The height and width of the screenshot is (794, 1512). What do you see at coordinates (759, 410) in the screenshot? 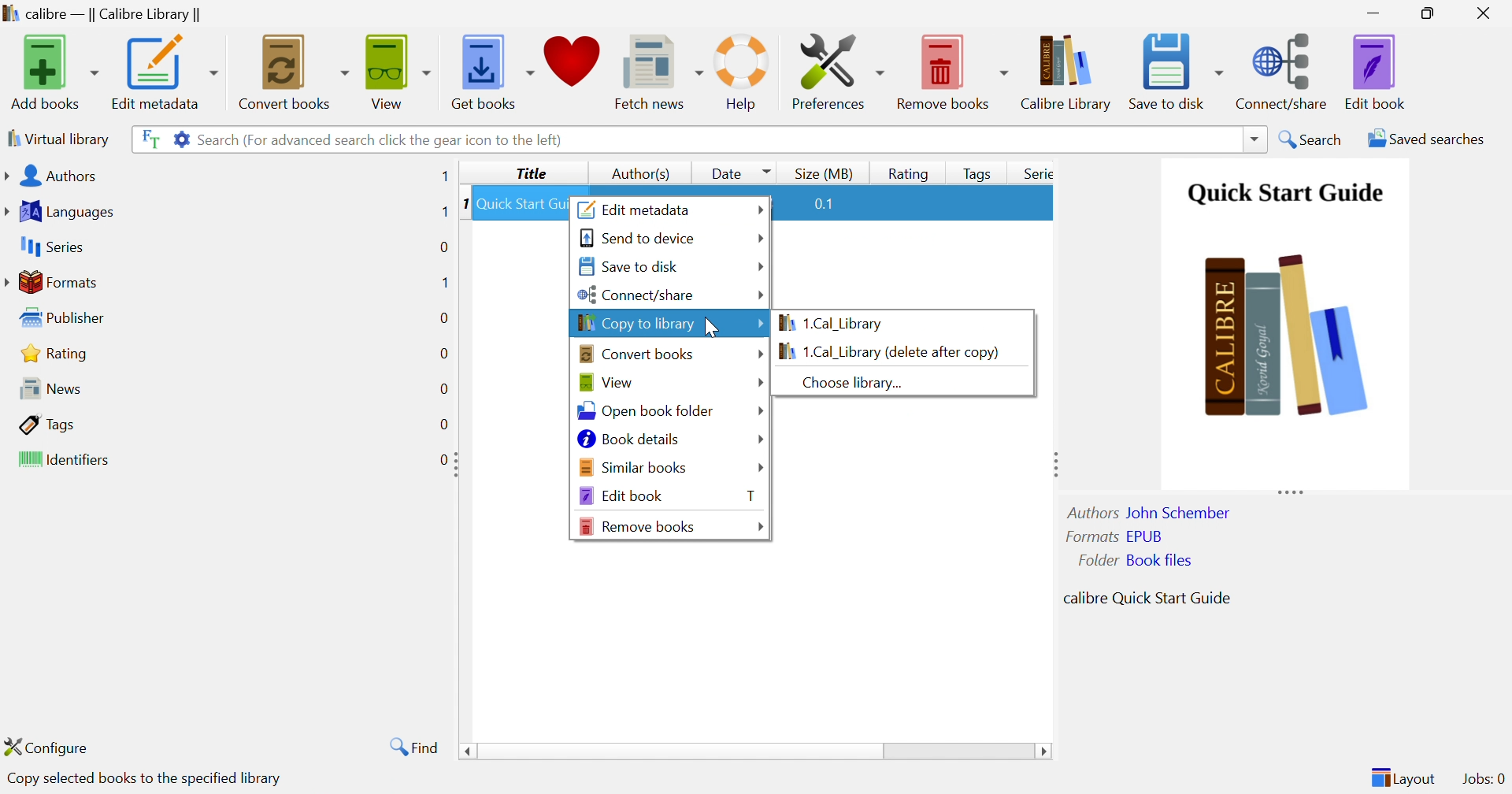
I see `Drop Down` at bounding box center [759, 410].